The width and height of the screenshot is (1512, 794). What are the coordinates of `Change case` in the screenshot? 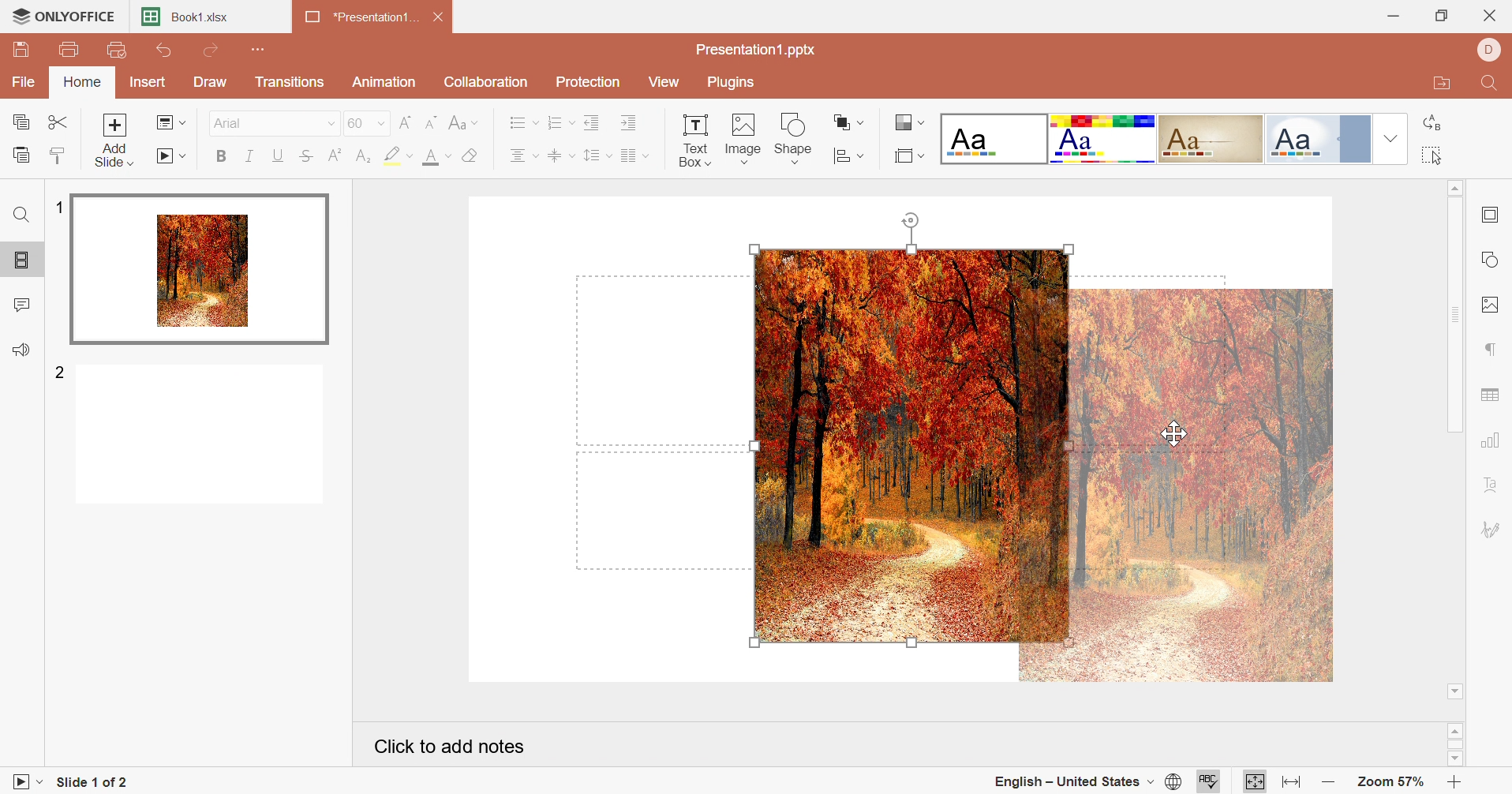 It's located at (467, 125).